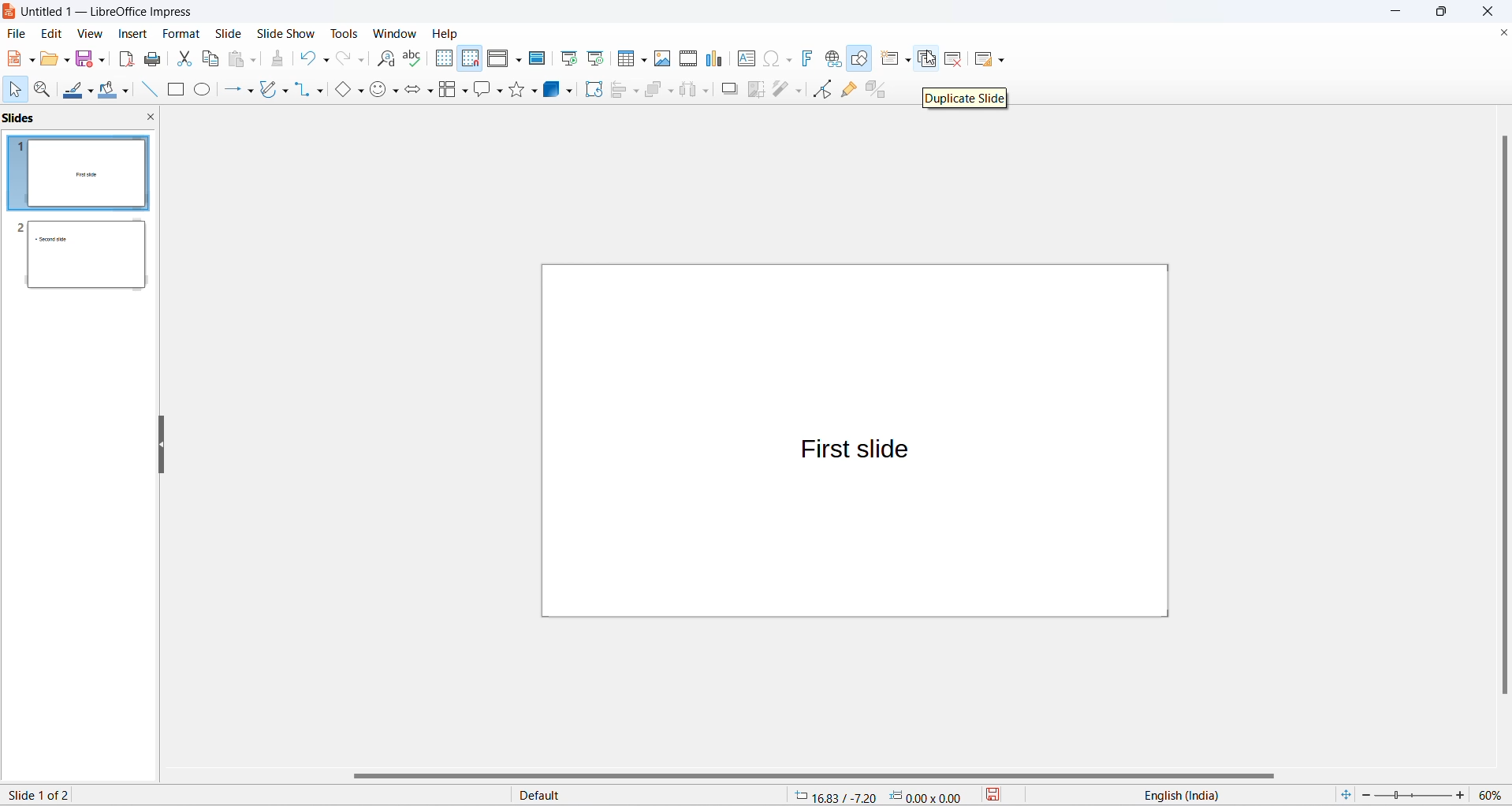  Describe the element at coordinates (806, 58) in the screenshot. I see `insert fontwork text` at that location.